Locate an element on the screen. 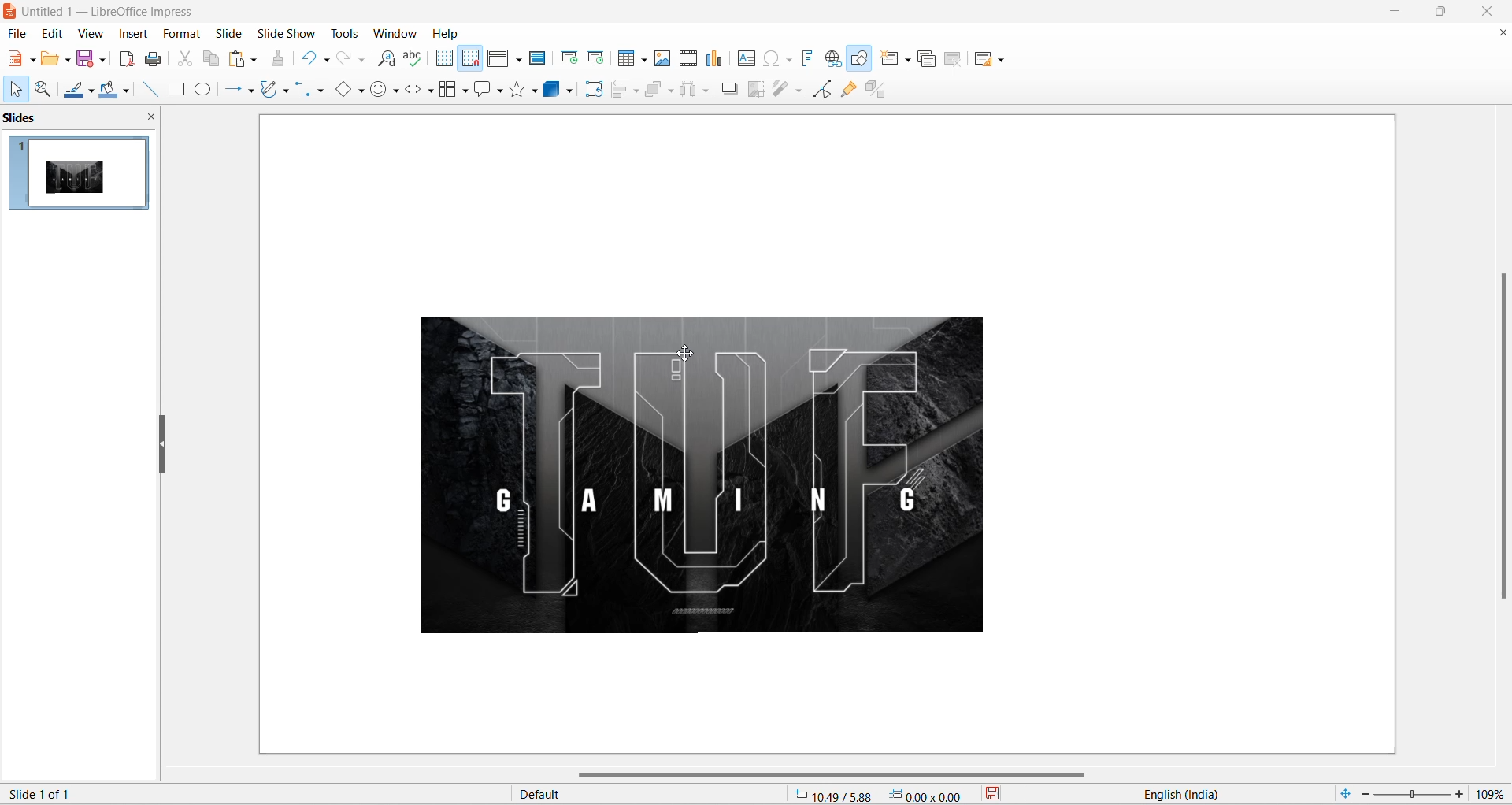 The height and width of the screenshot is (805, 1512). redo options is located at coordinates (363, 61).